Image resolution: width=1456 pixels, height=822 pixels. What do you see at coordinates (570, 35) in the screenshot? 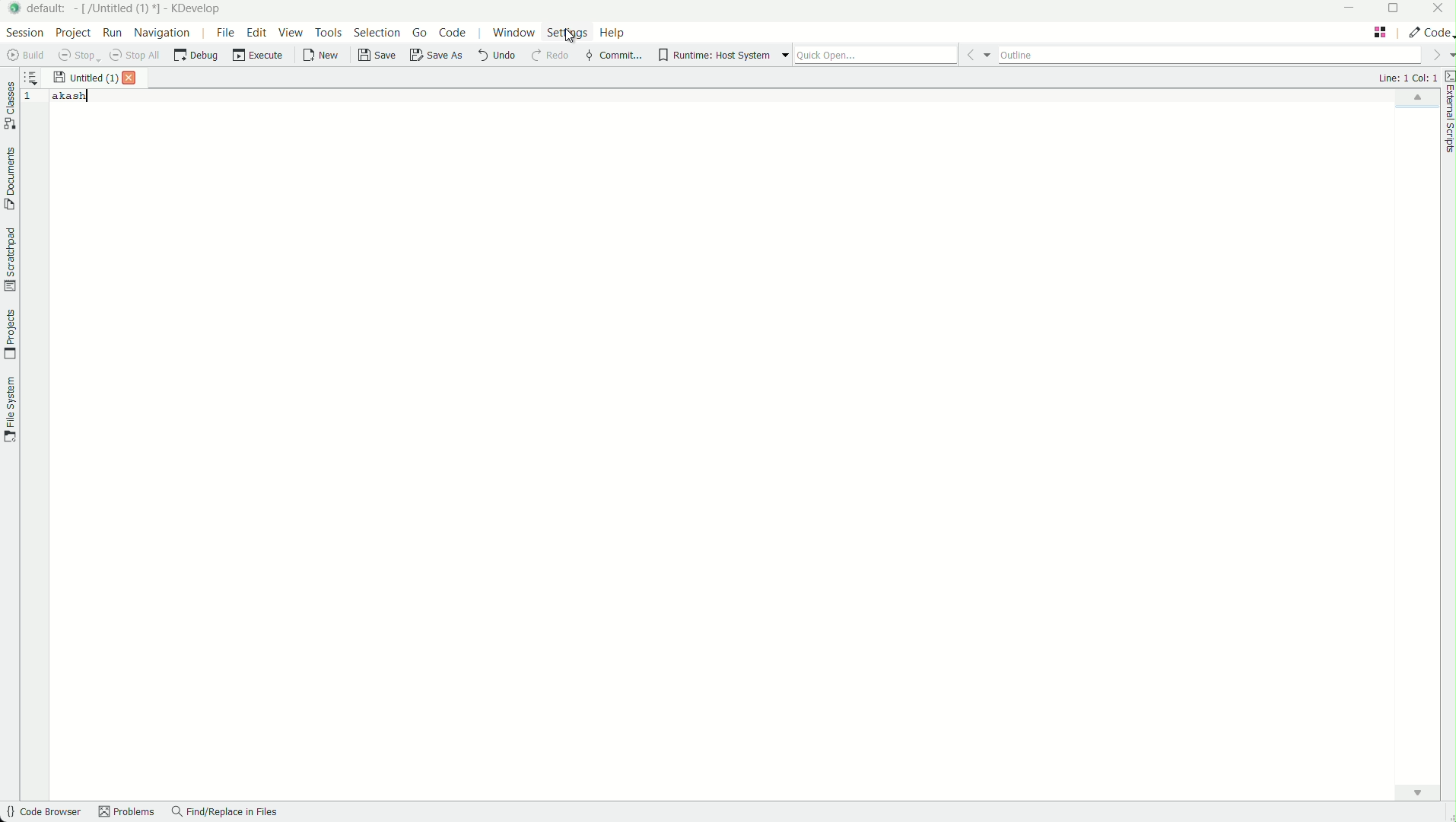
I see `Cursor` at bounding box center [570, 35].